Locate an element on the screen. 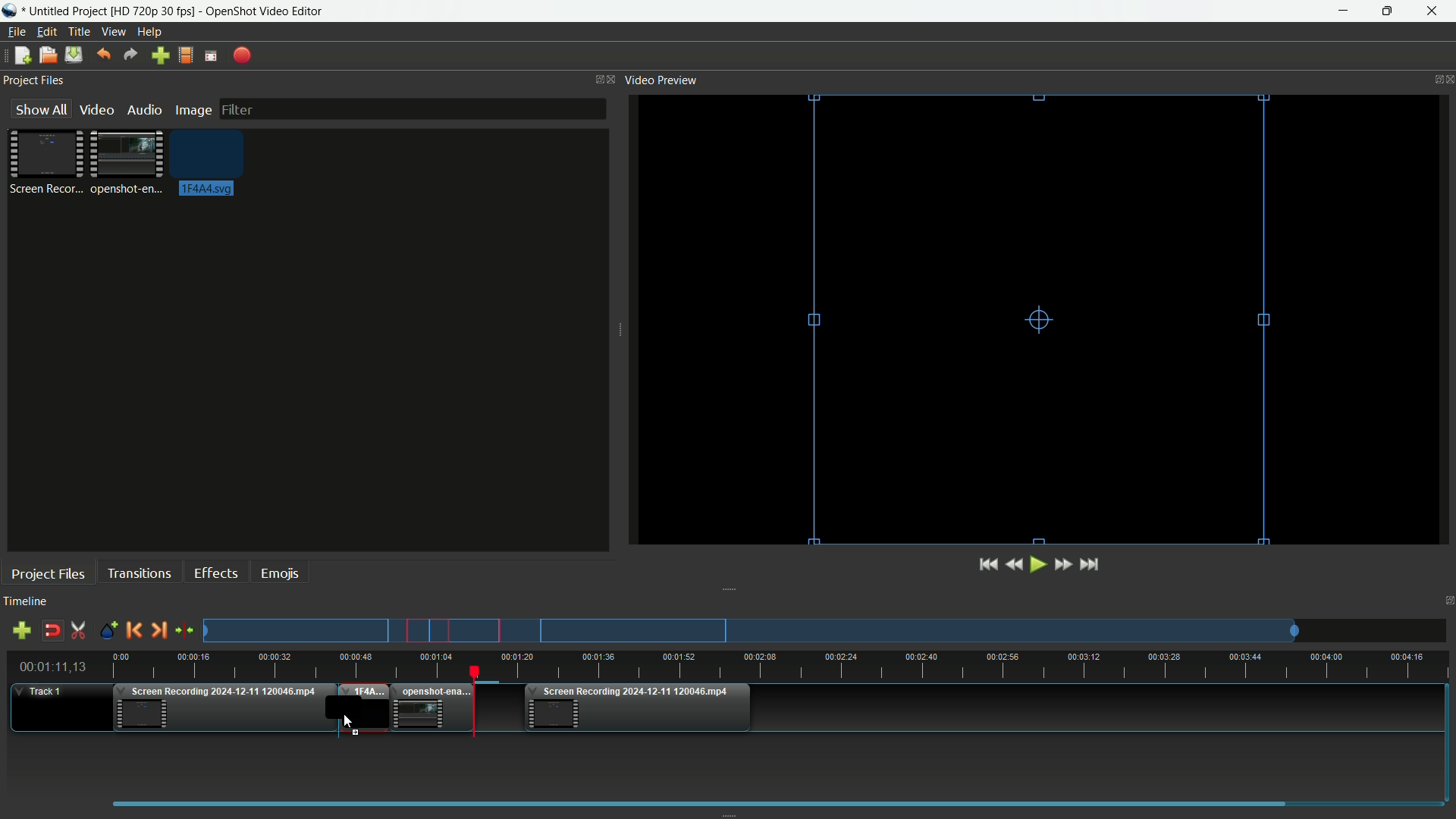 Image resolution: width=1456 pixels, height=819 pixels. close video preview is located at coordinates (1447, 78).